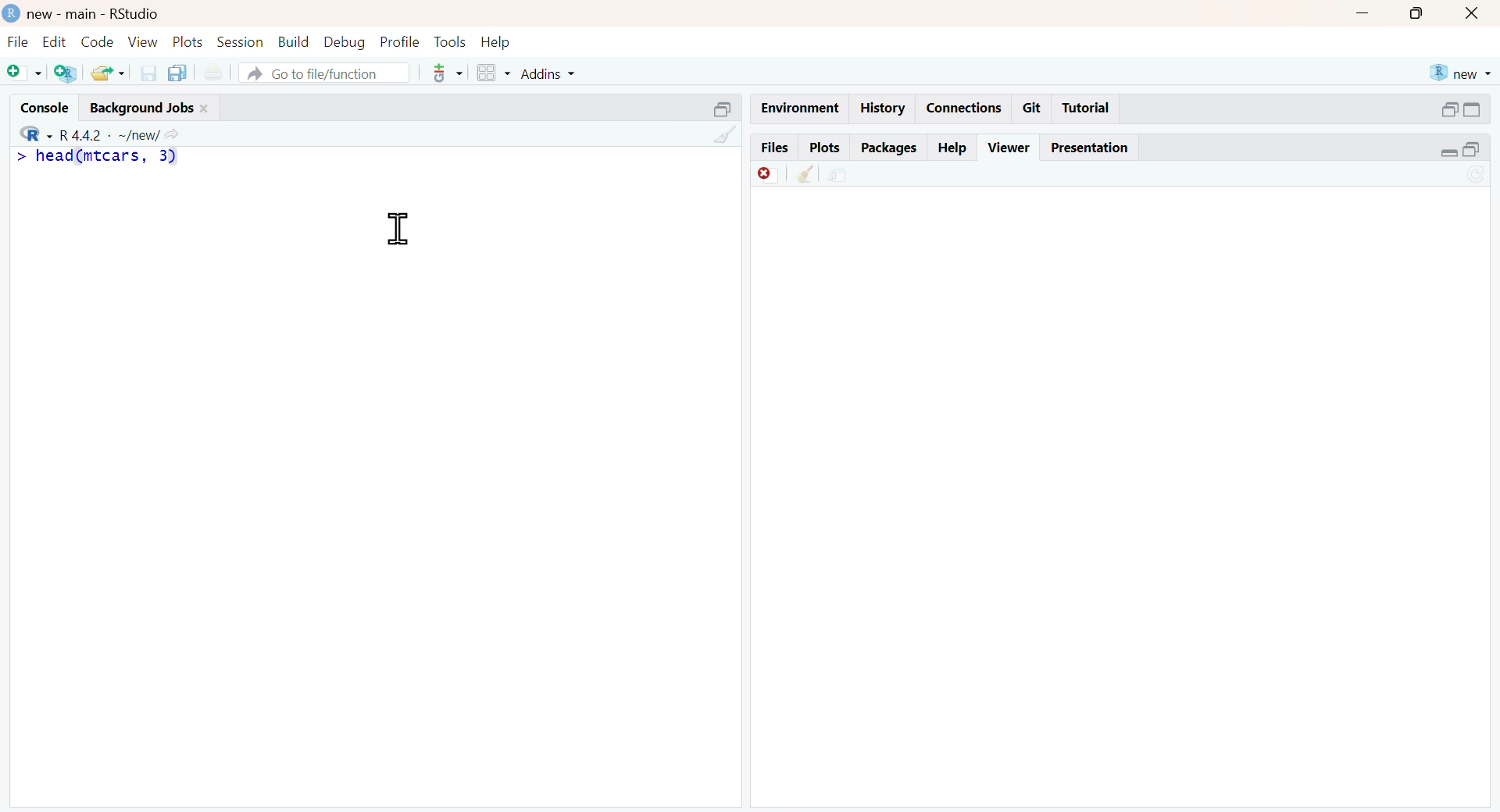 This screenshot has width=1500, height=812. Describe the element at coordinates (798, 107) in the screenshot. I see `Environment` at that location.